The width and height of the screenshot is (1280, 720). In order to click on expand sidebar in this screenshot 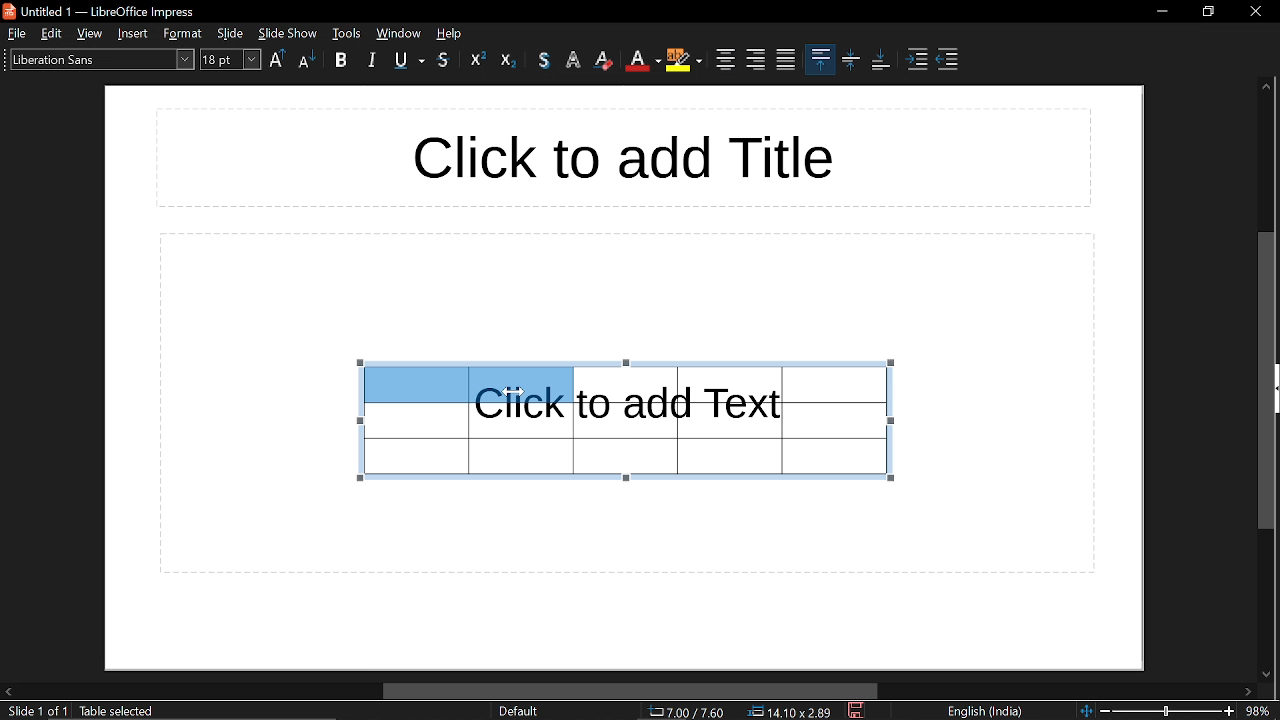, I will do `click(1275, 388)`.